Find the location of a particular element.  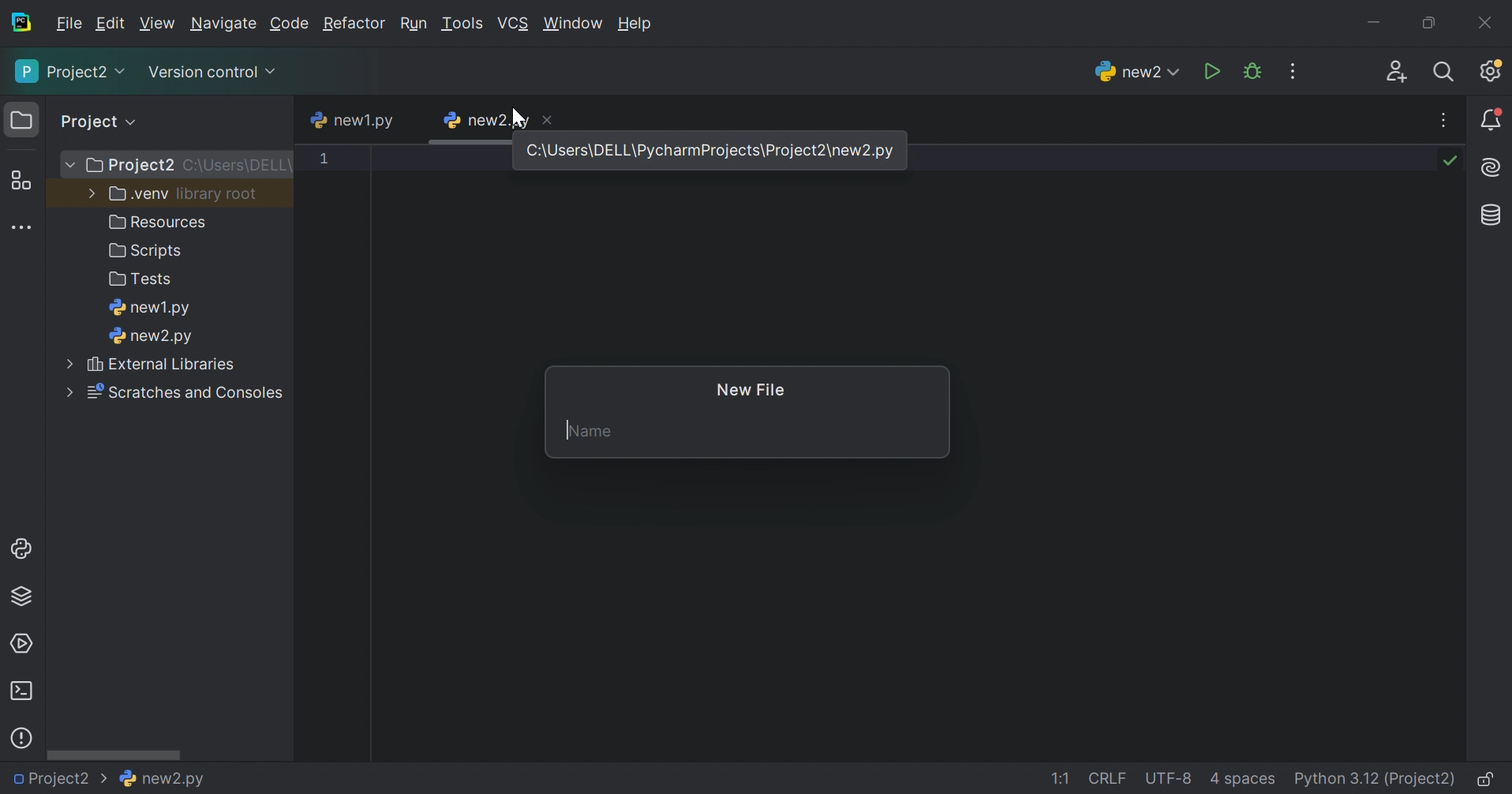

external libraries is located at coordinates (166, 366).